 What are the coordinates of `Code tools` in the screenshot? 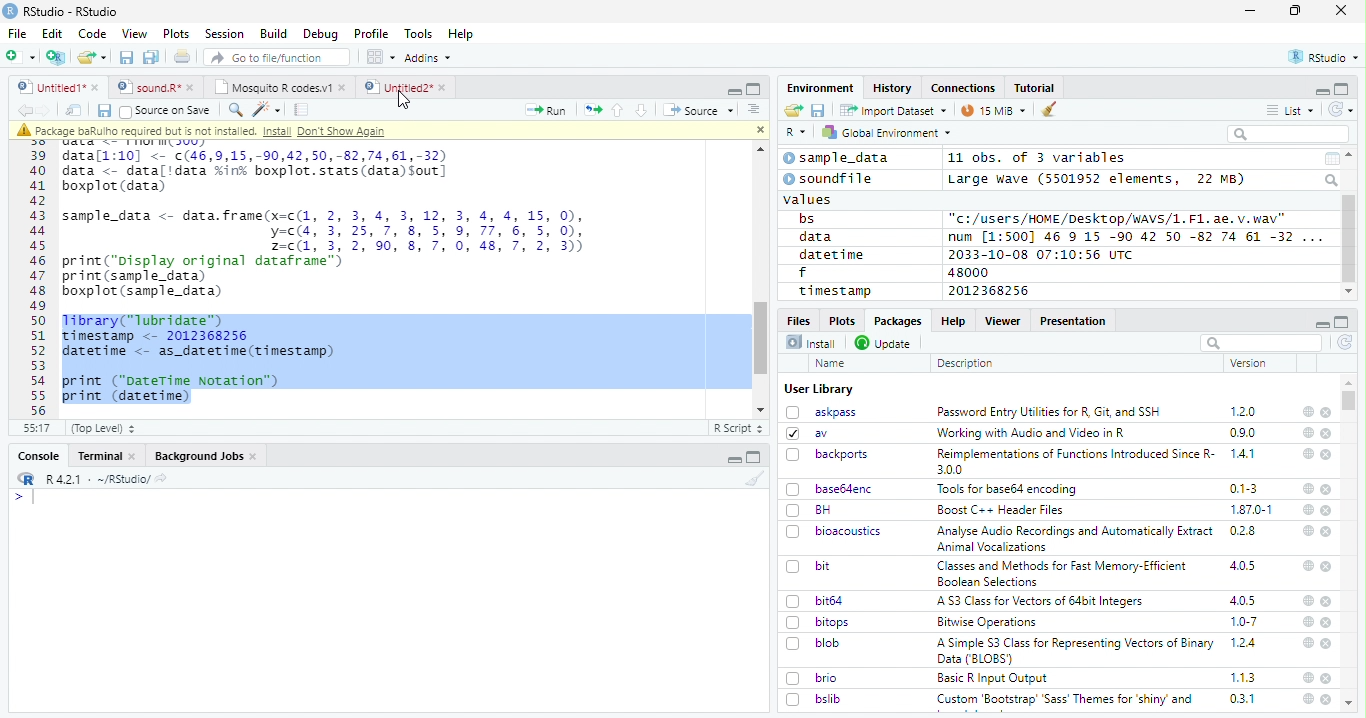 It's located at (265, 109).